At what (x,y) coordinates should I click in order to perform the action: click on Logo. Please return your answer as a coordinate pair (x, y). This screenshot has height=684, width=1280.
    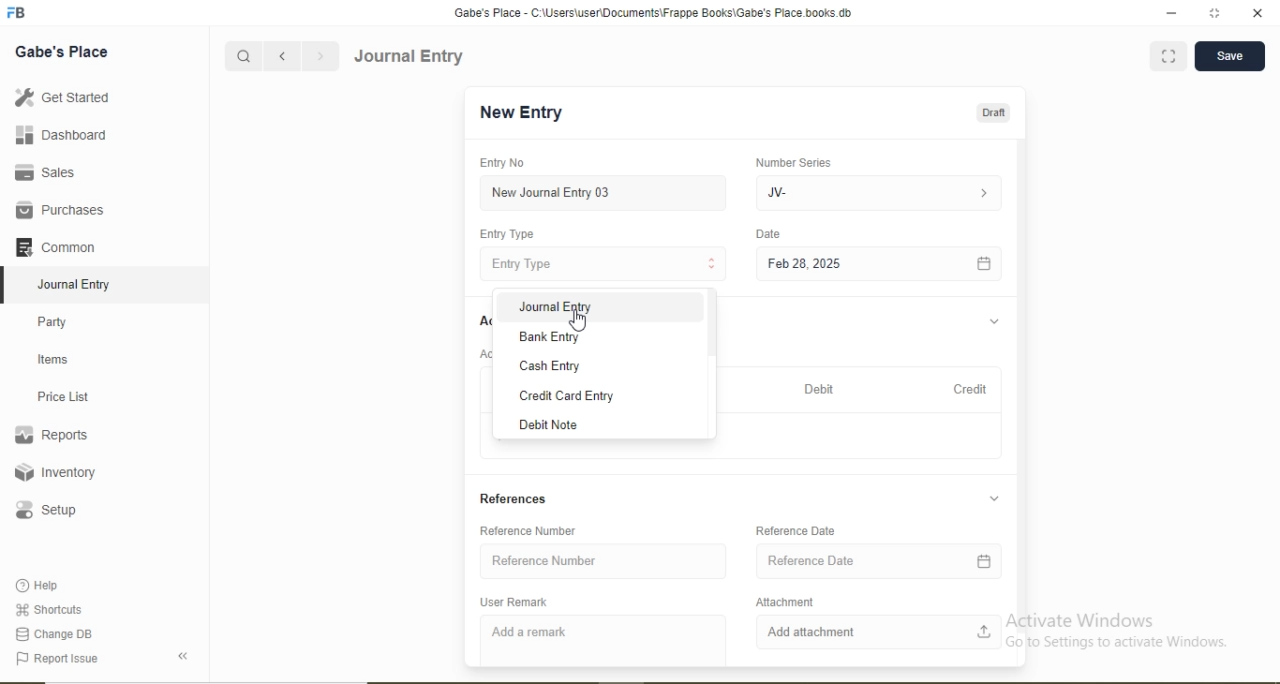
    Looking at the image, I should click on (17, 13).